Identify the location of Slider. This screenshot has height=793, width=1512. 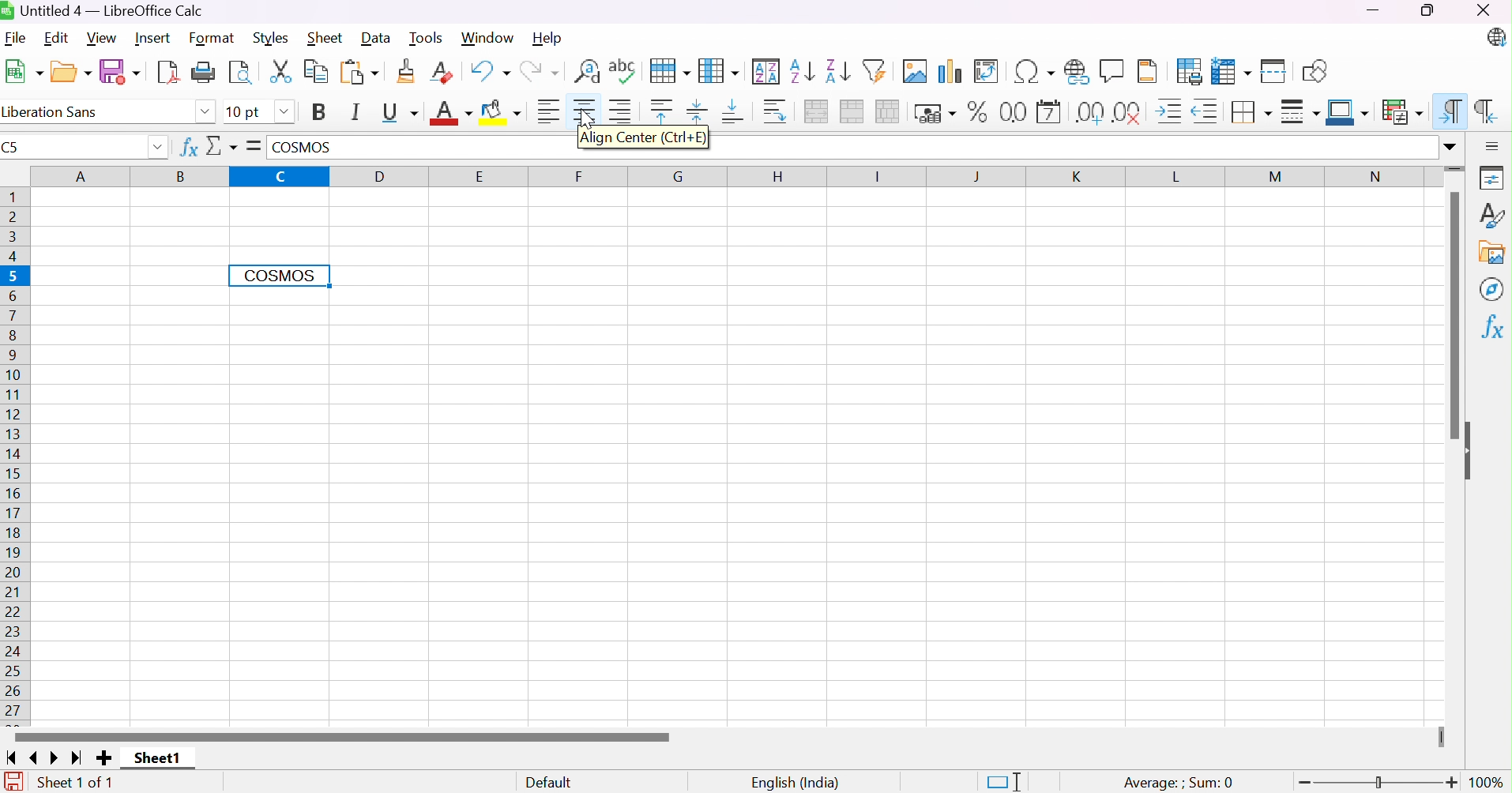
(1445, 738).